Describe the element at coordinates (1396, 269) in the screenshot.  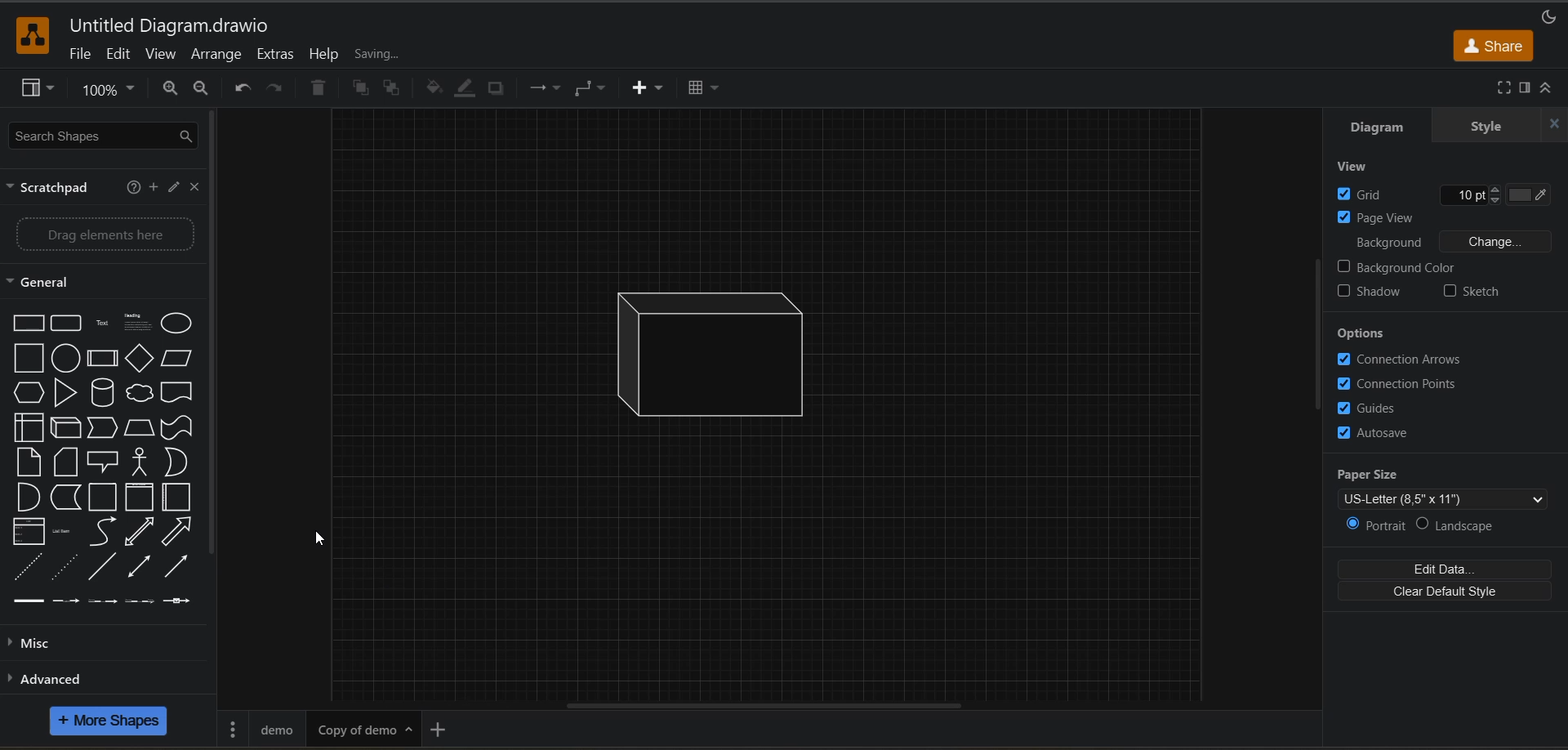
I see `background color` at that location.